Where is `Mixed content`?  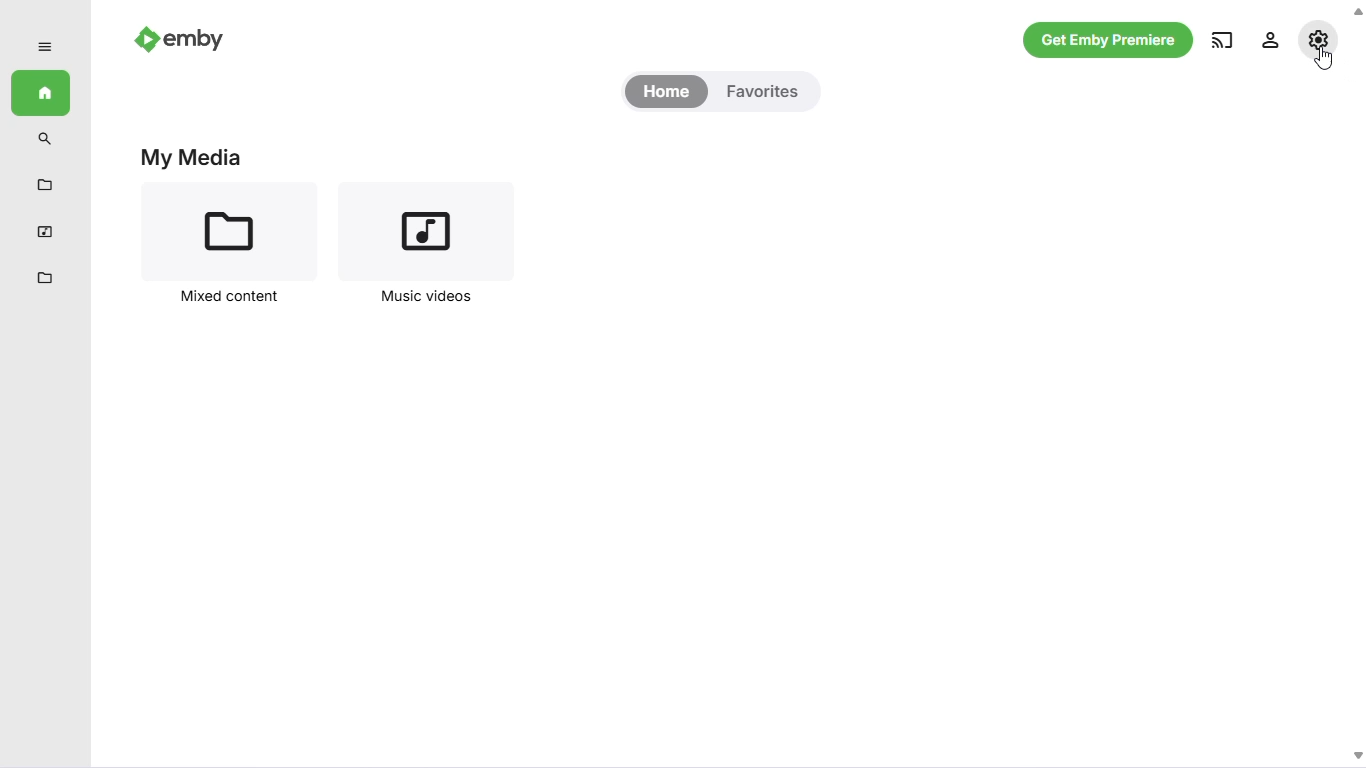
Mixed content is located at coordinates (230, 296).